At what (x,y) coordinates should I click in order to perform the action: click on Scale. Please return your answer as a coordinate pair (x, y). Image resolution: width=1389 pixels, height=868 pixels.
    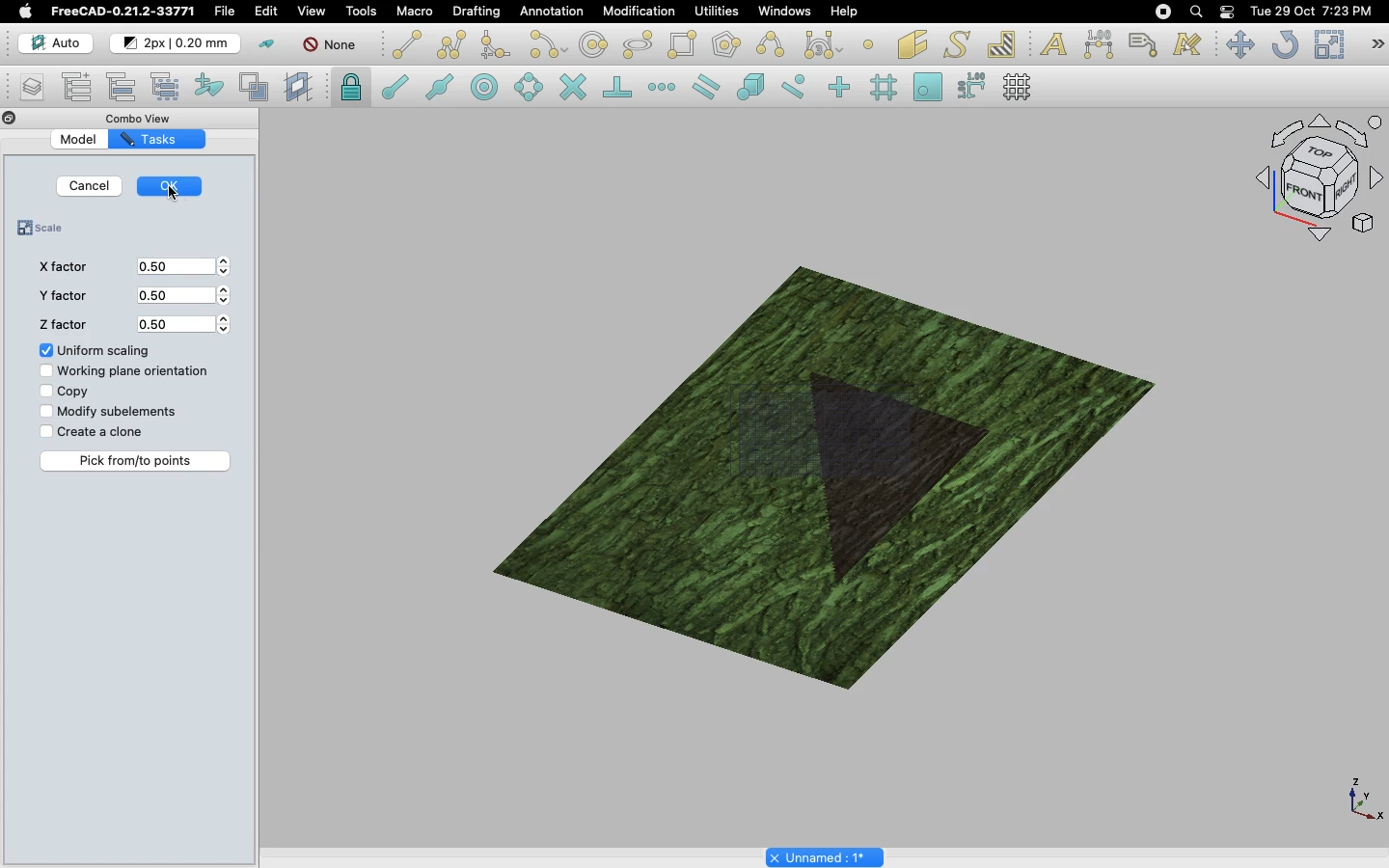
    Looking at the image, I should click on (1327, 43).